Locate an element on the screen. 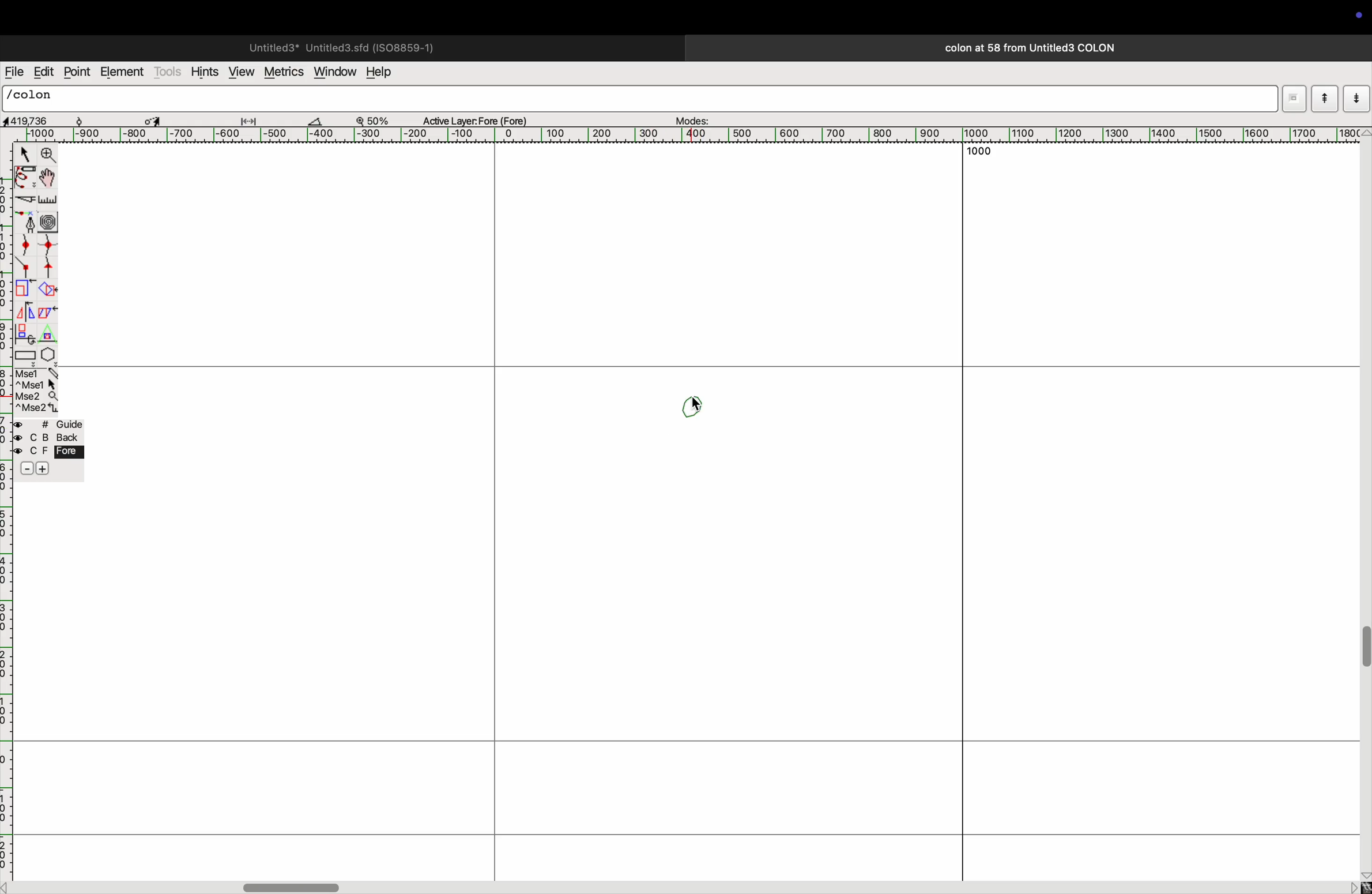 Image resolution: width=1372 pixels, height=894 pixels. pen is located at coordinates (25, 179).